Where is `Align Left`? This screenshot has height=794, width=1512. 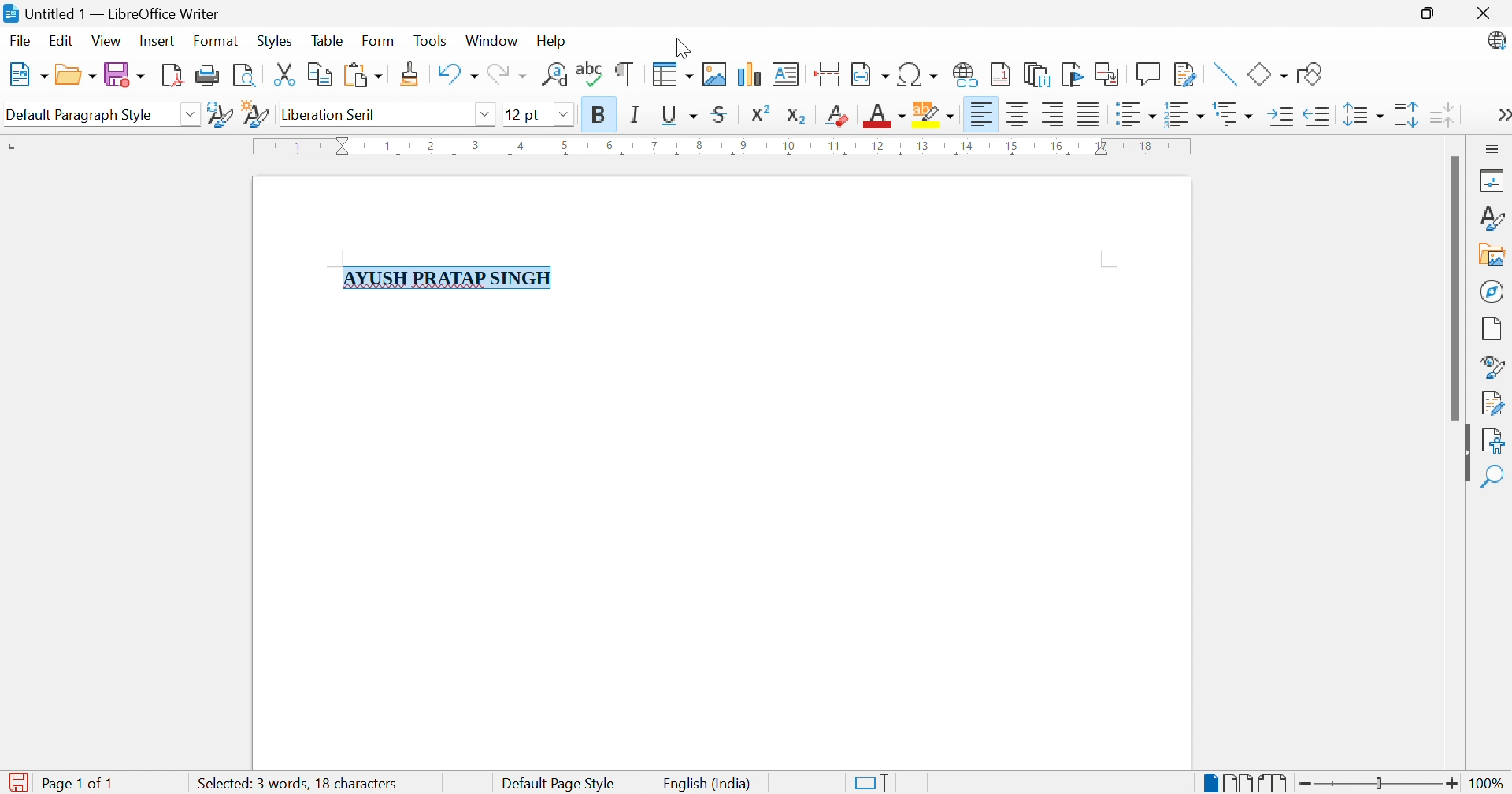 Align Left is located at coordinates (980, 114).